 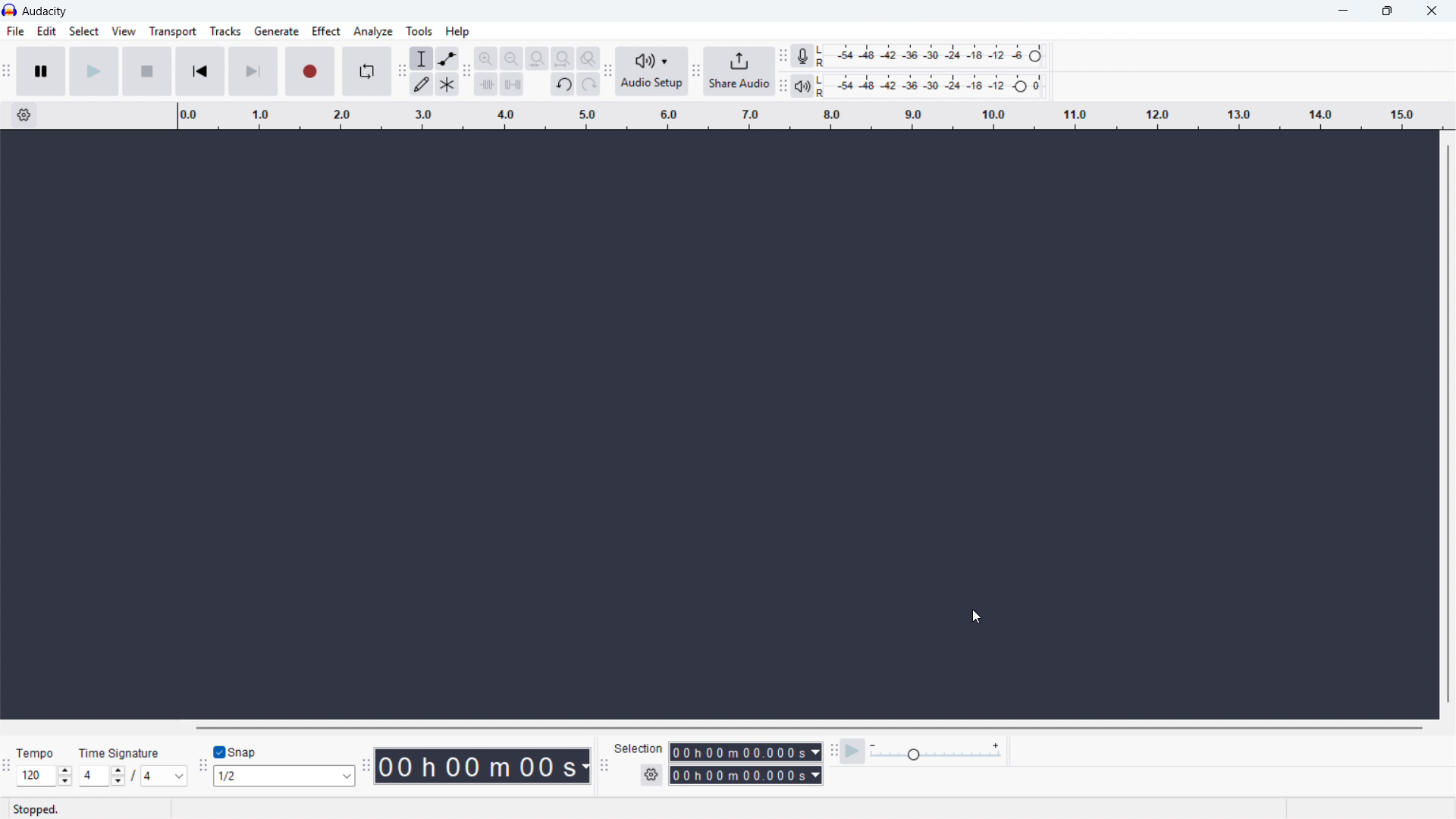 What do you see at coordinates (42, 71) in the screenshot?
I see `pause` at bounding box center [42, 71].